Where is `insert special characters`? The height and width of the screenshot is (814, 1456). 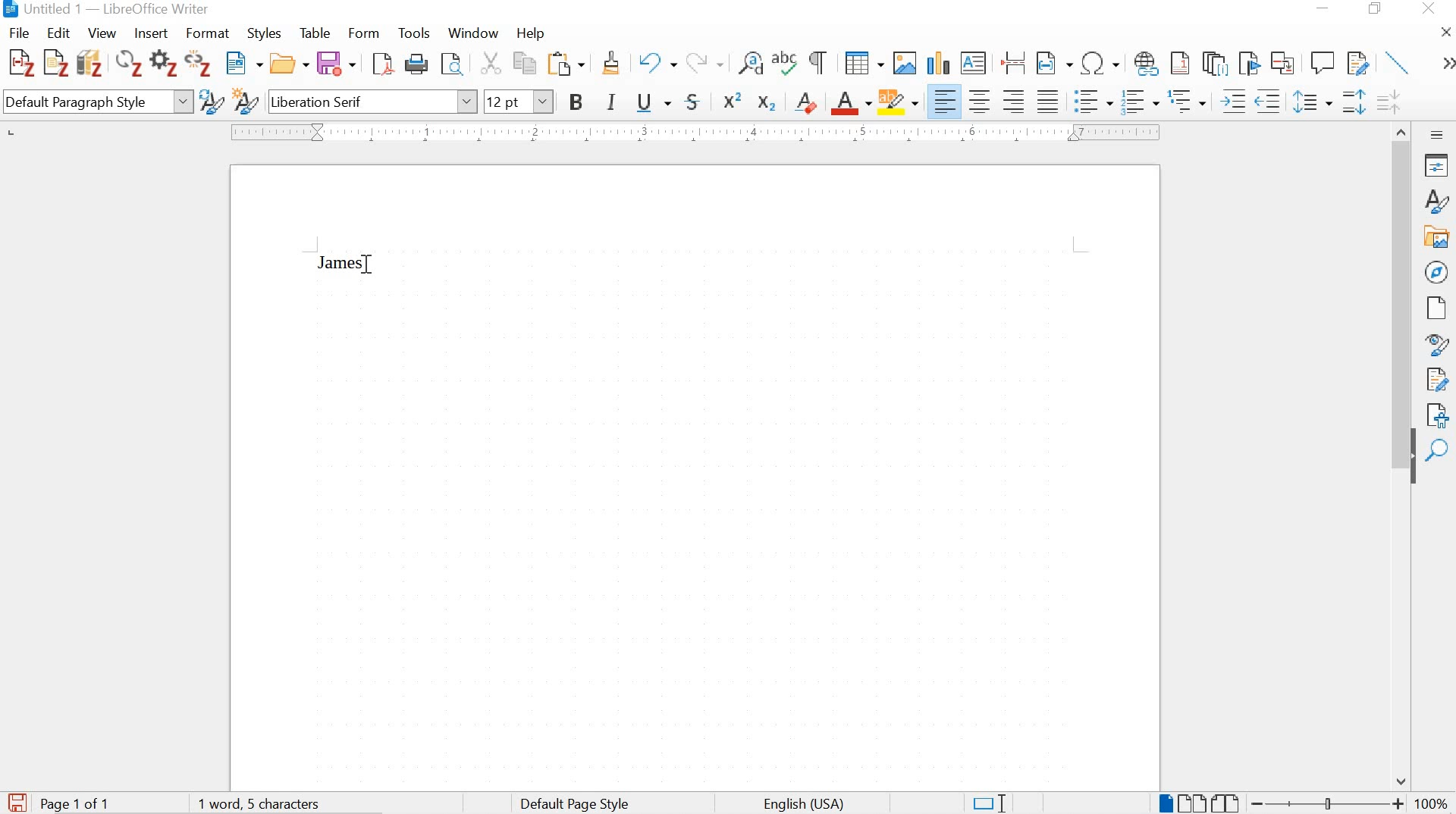 insert special characters is located at coordinates (1101, 64).